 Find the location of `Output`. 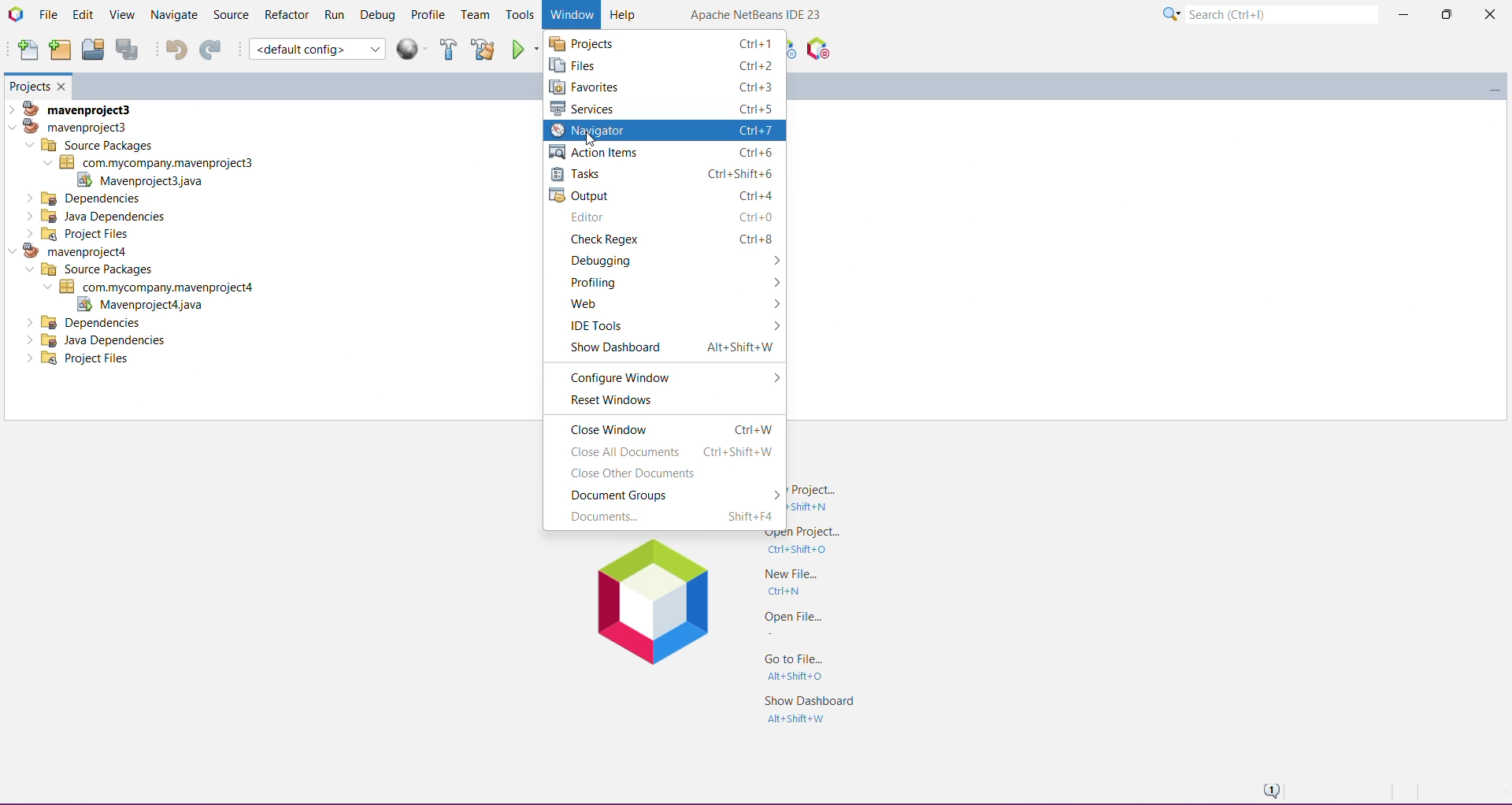

Output is located at coordinates (663, 195).